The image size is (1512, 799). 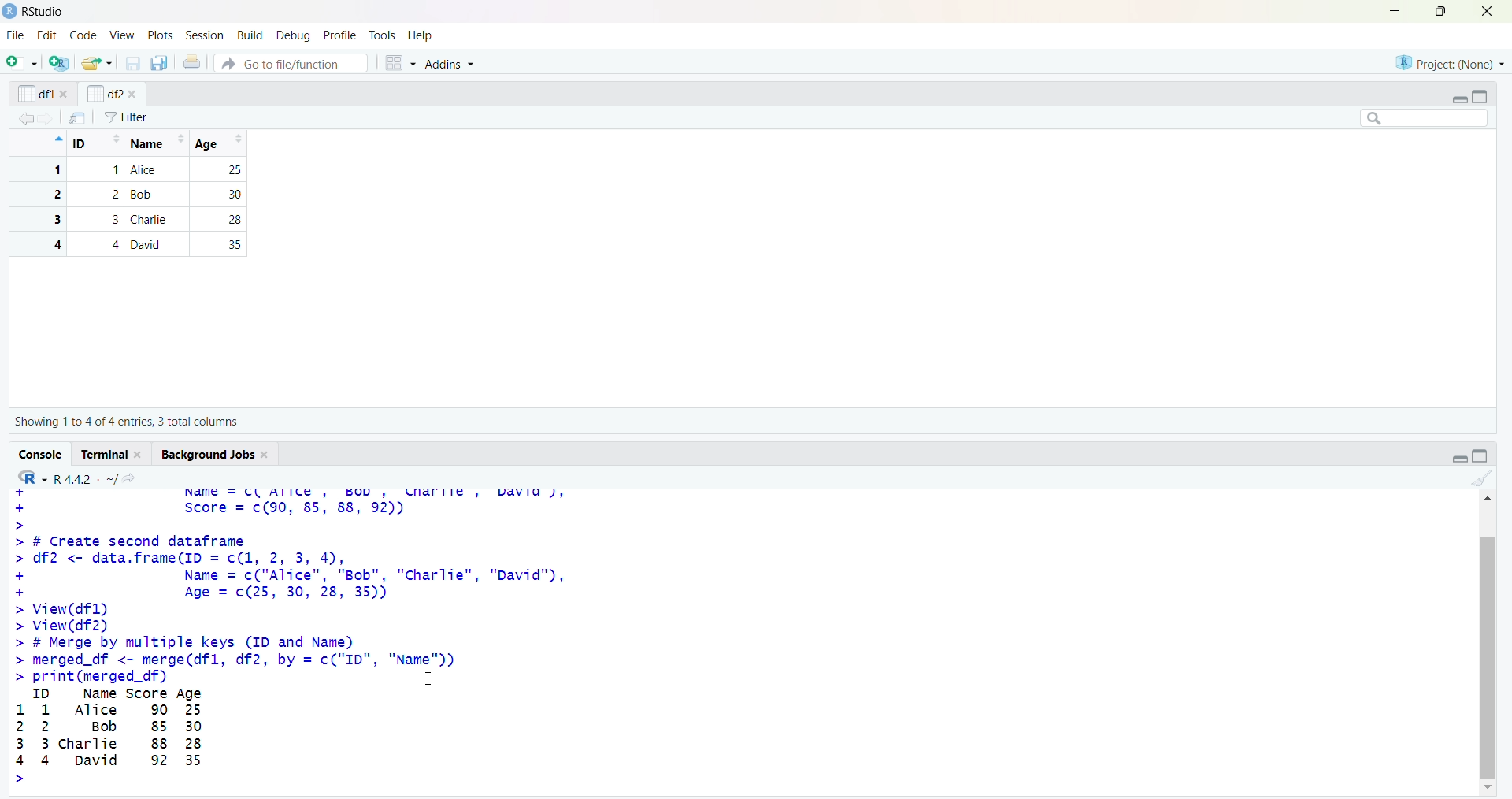 What do you see at coordinates (134, 63) in the screenshot?
I see `save` at bounding box center [134, 63].